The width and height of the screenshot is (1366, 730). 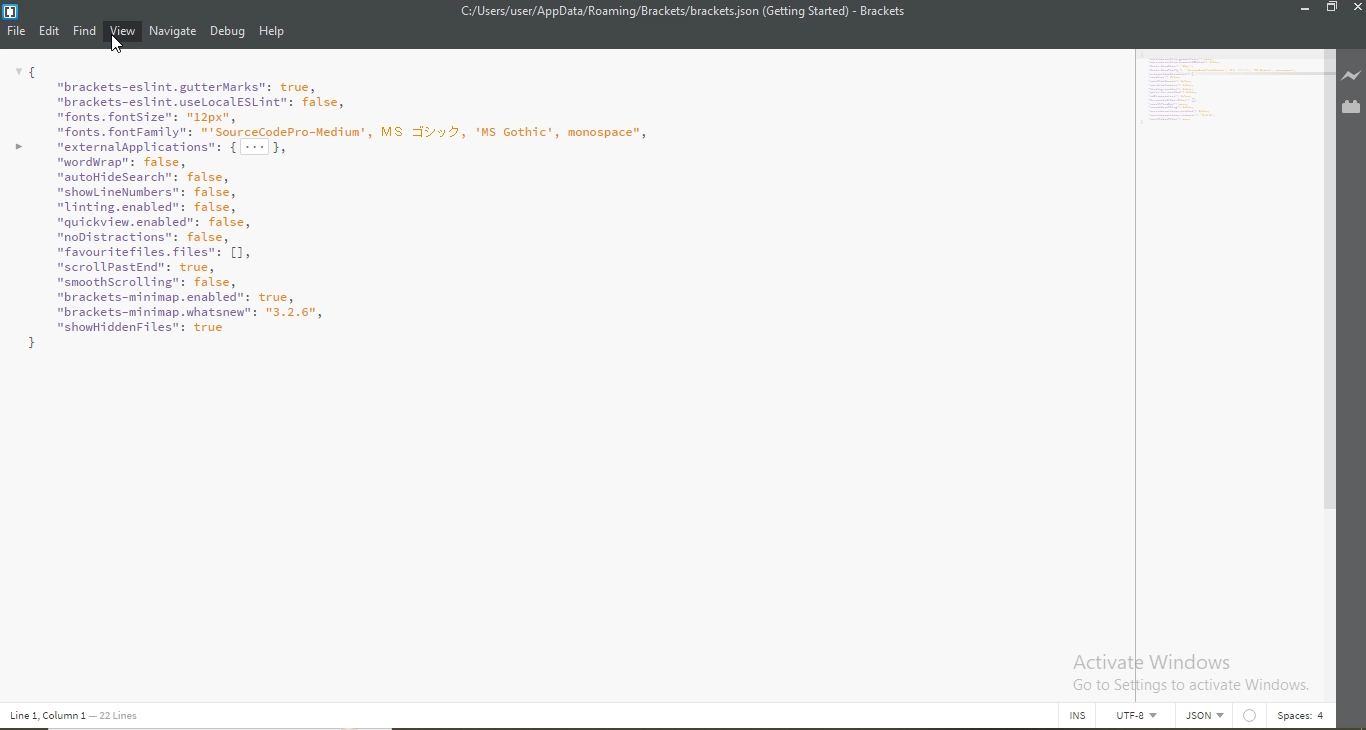 What do you see at coordinates (1208, 716) in the screenshot?
I see `json` at bounding box center [1208, 716].